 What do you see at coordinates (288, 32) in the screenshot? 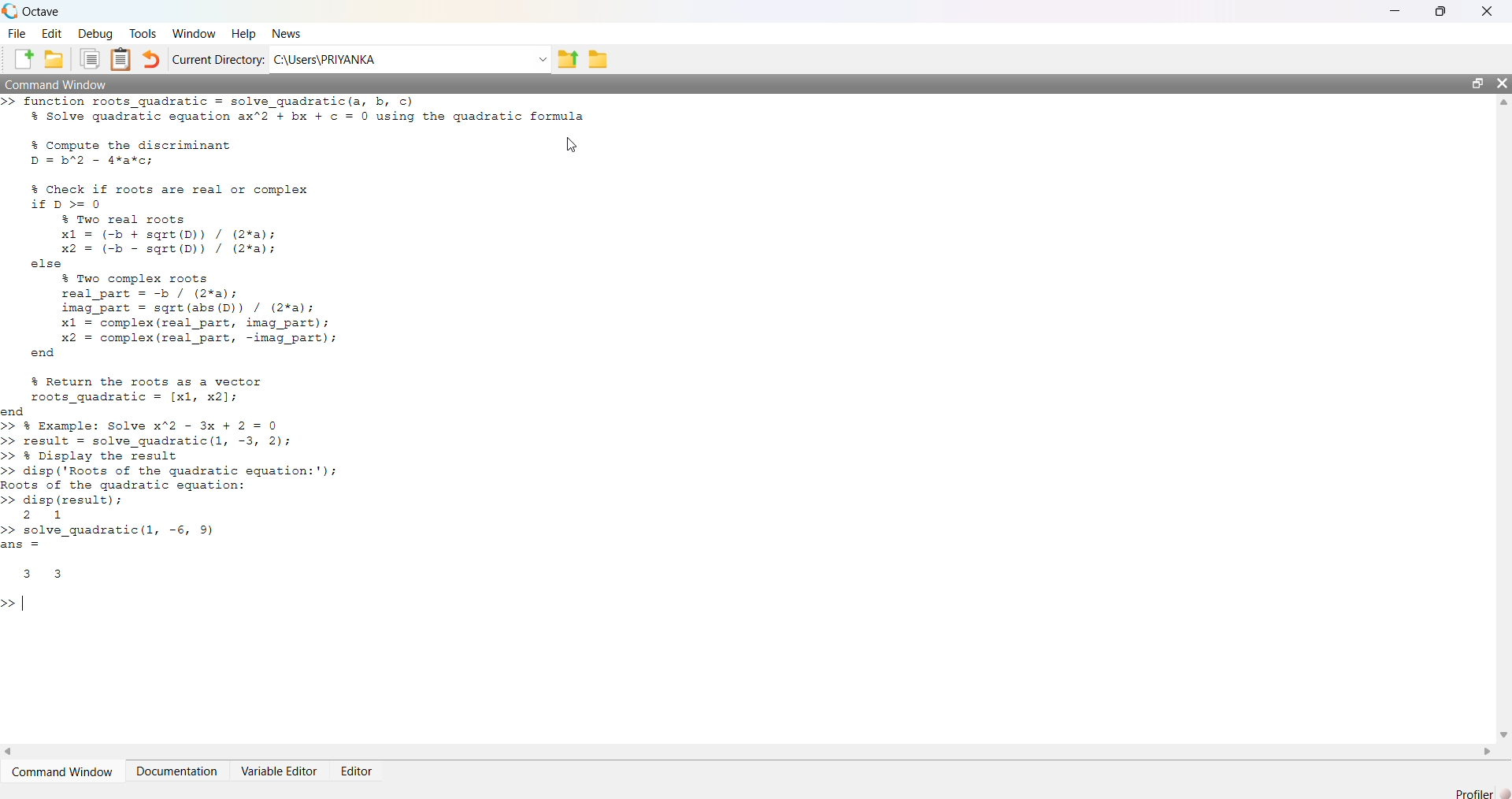
I see `News` at bounding box center [288, 32].